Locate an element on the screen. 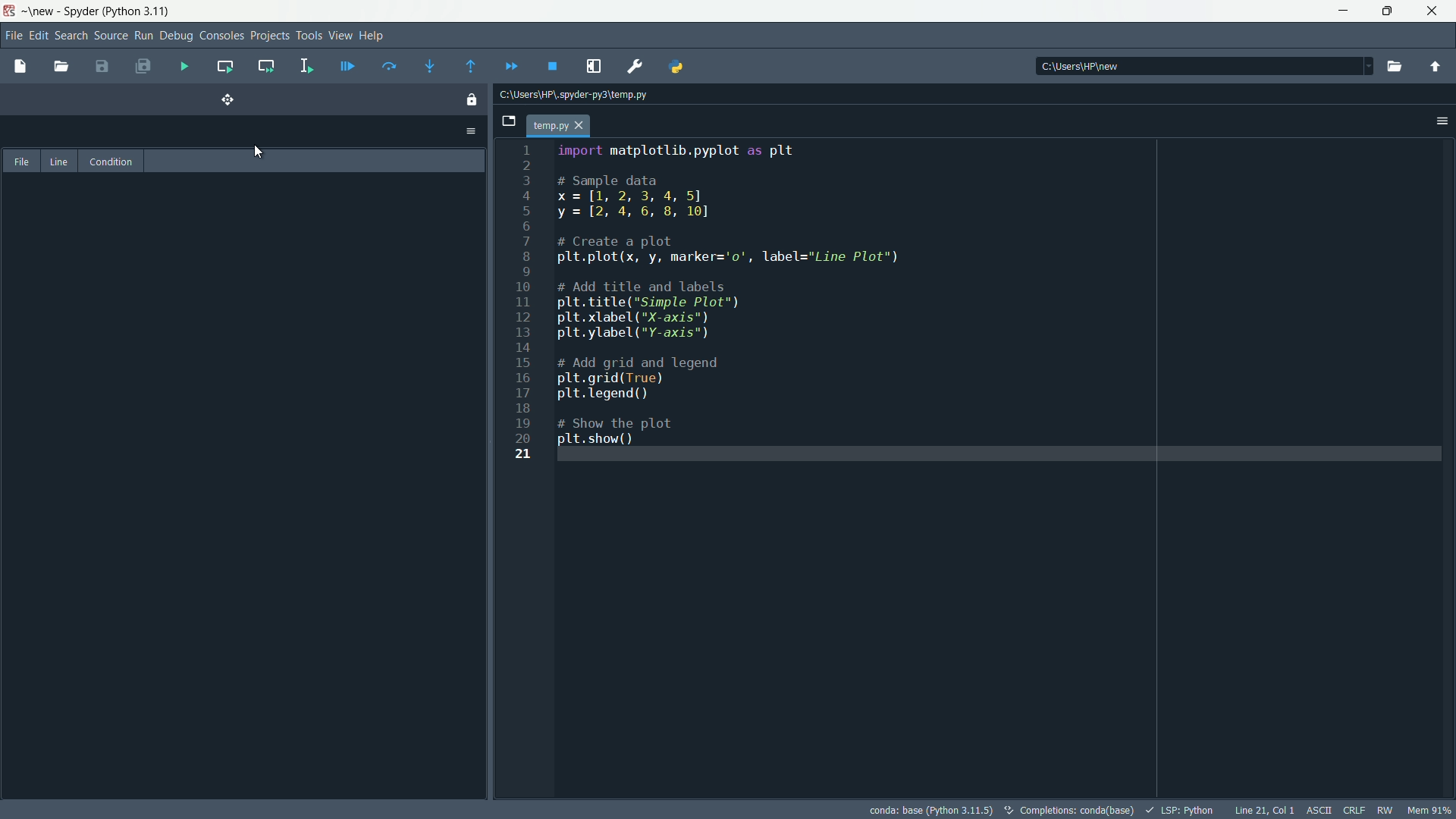  close app is located at coordinates (1388, 11).